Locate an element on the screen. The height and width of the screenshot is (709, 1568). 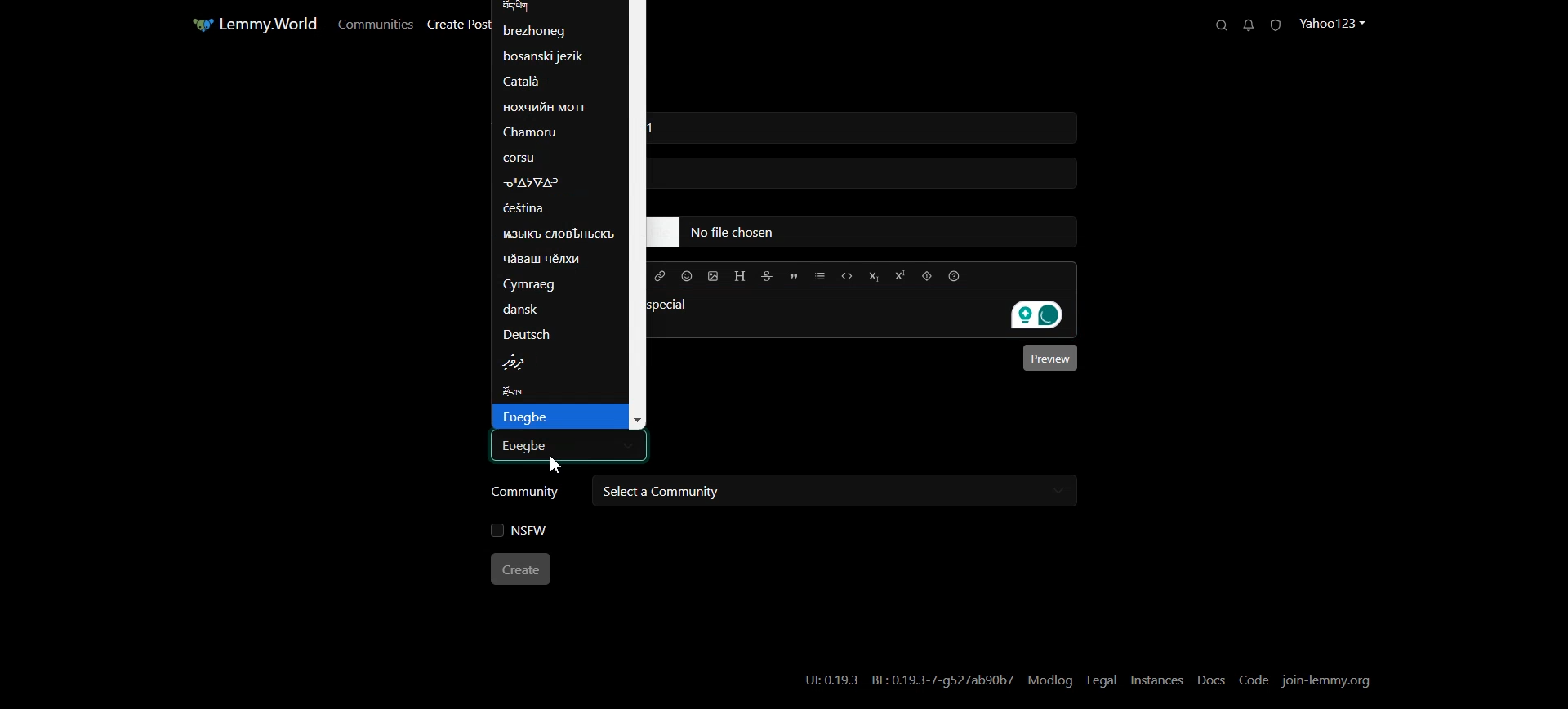
Code is located at coordinates (848, 275).